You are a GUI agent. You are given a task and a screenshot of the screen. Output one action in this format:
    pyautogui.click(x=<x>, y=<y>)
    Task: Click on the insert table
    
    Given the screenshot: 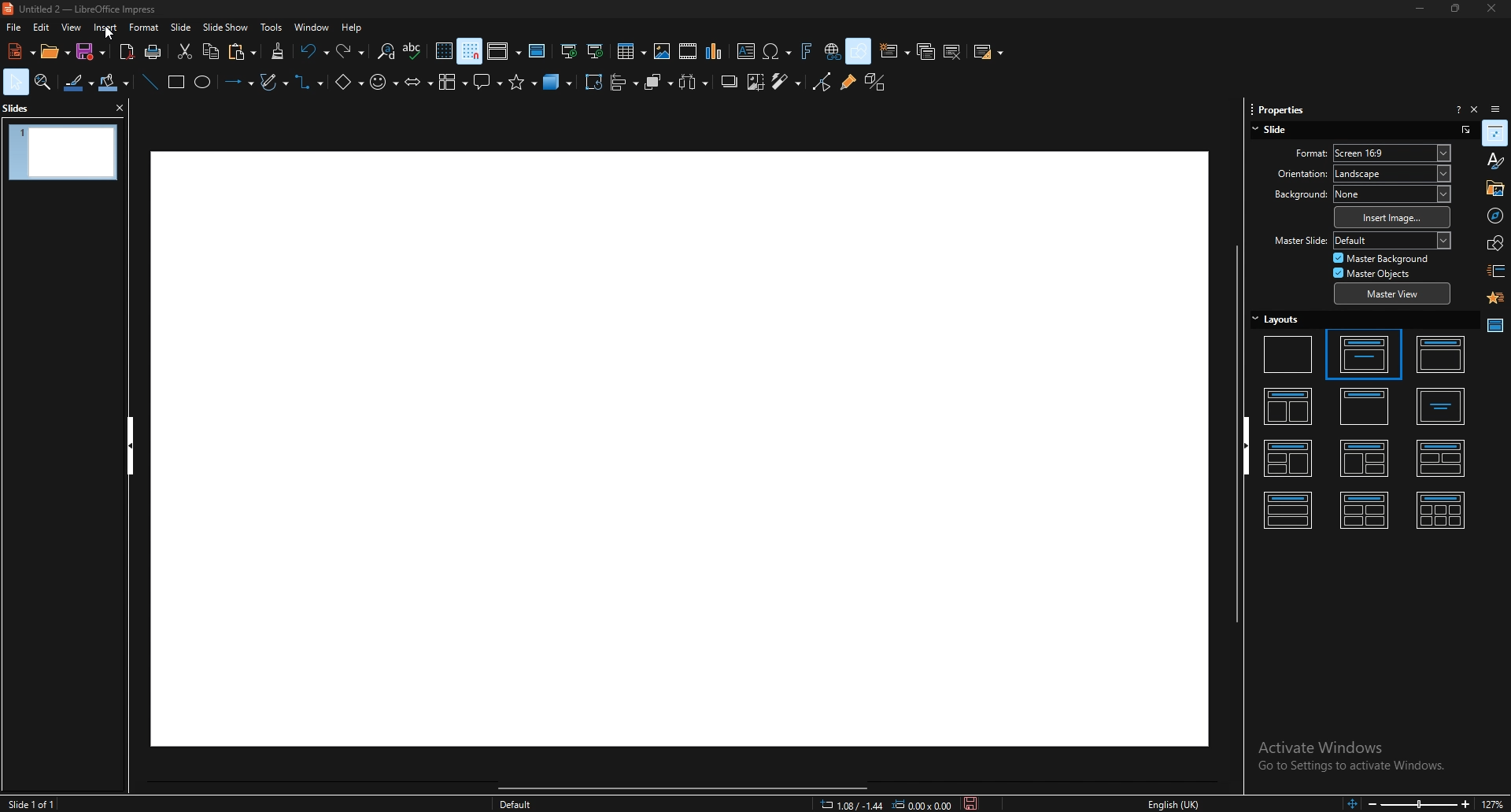 What is the action you would take?
    pyautogui.click(x=631, y=51)
    